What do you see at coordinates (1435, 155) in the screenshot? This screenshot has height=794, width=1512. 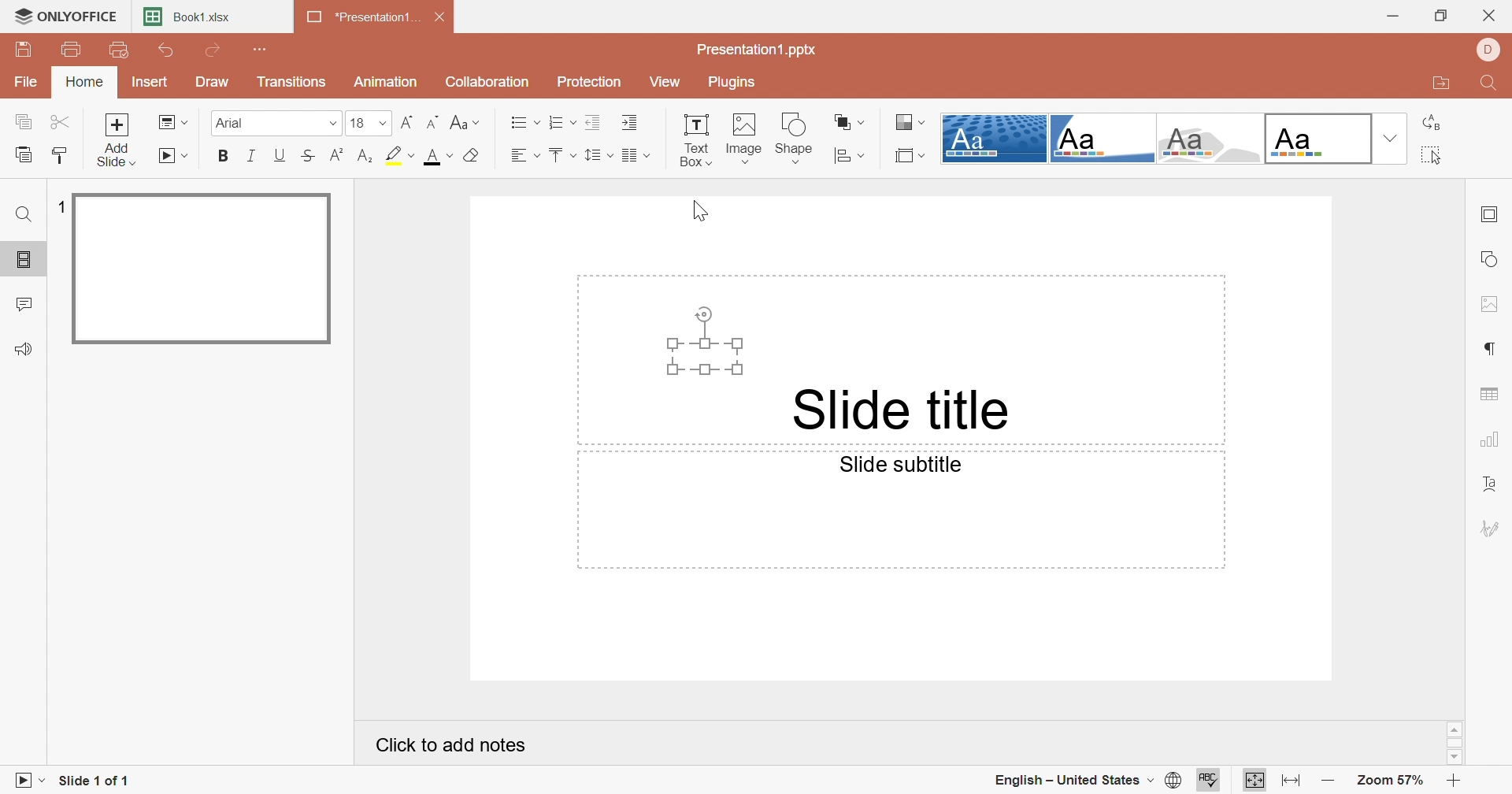 I see `Select all` at bounding box center [1435, 155].